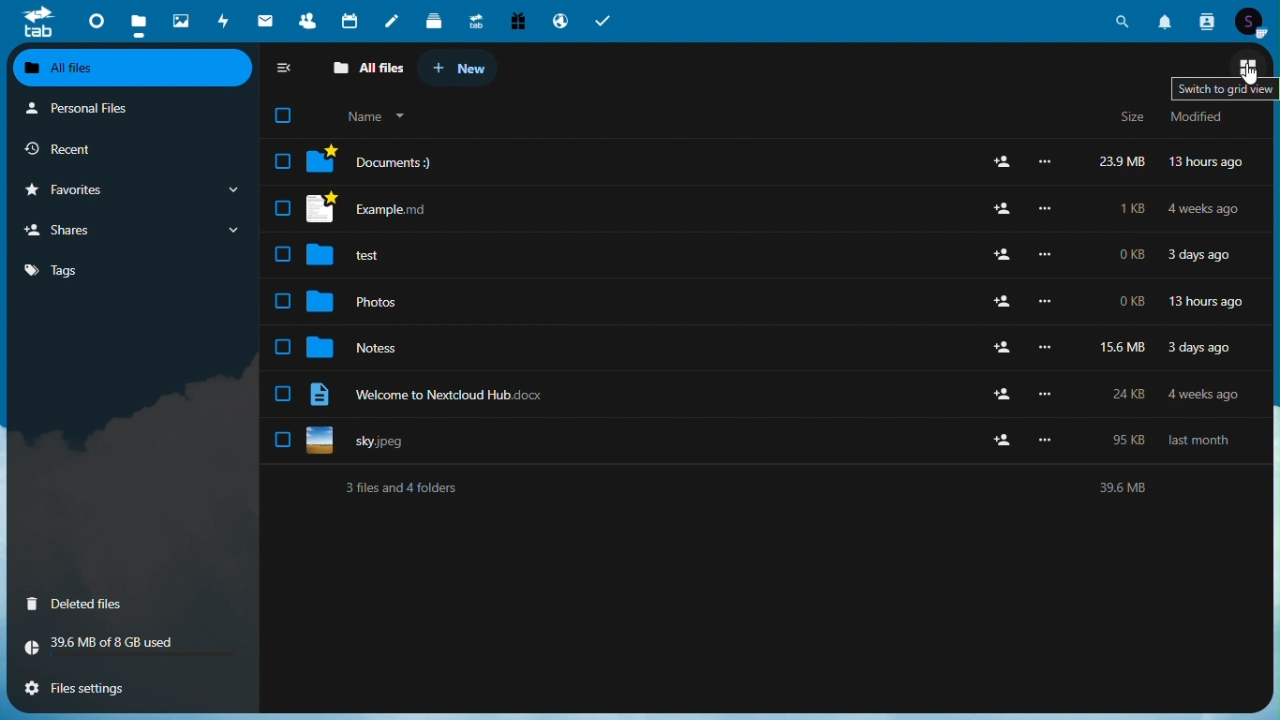  I want to click on activity, so click(221, 21).